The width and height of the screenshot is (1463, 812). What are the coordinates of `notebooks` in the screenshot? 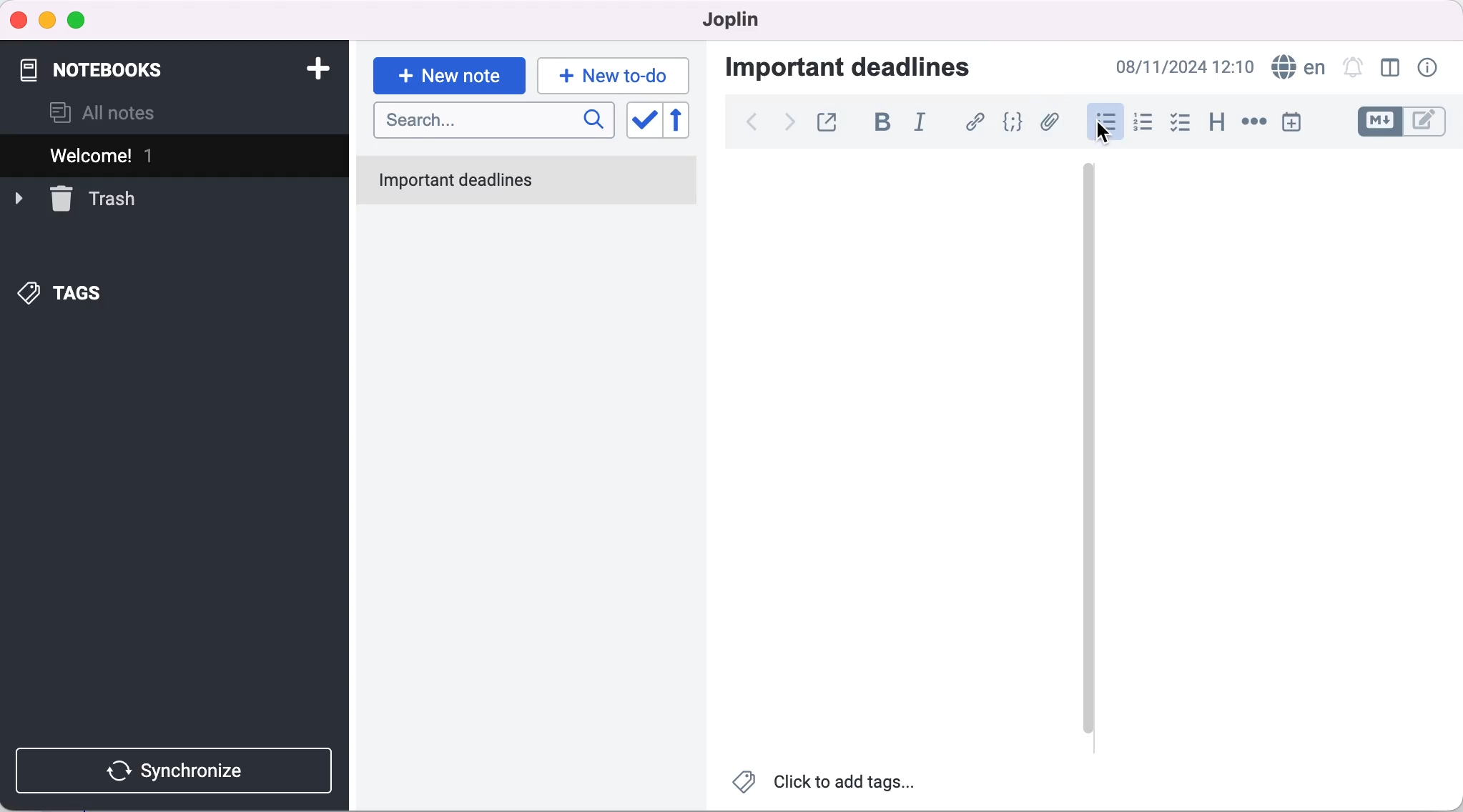 It's located at (112, 66).